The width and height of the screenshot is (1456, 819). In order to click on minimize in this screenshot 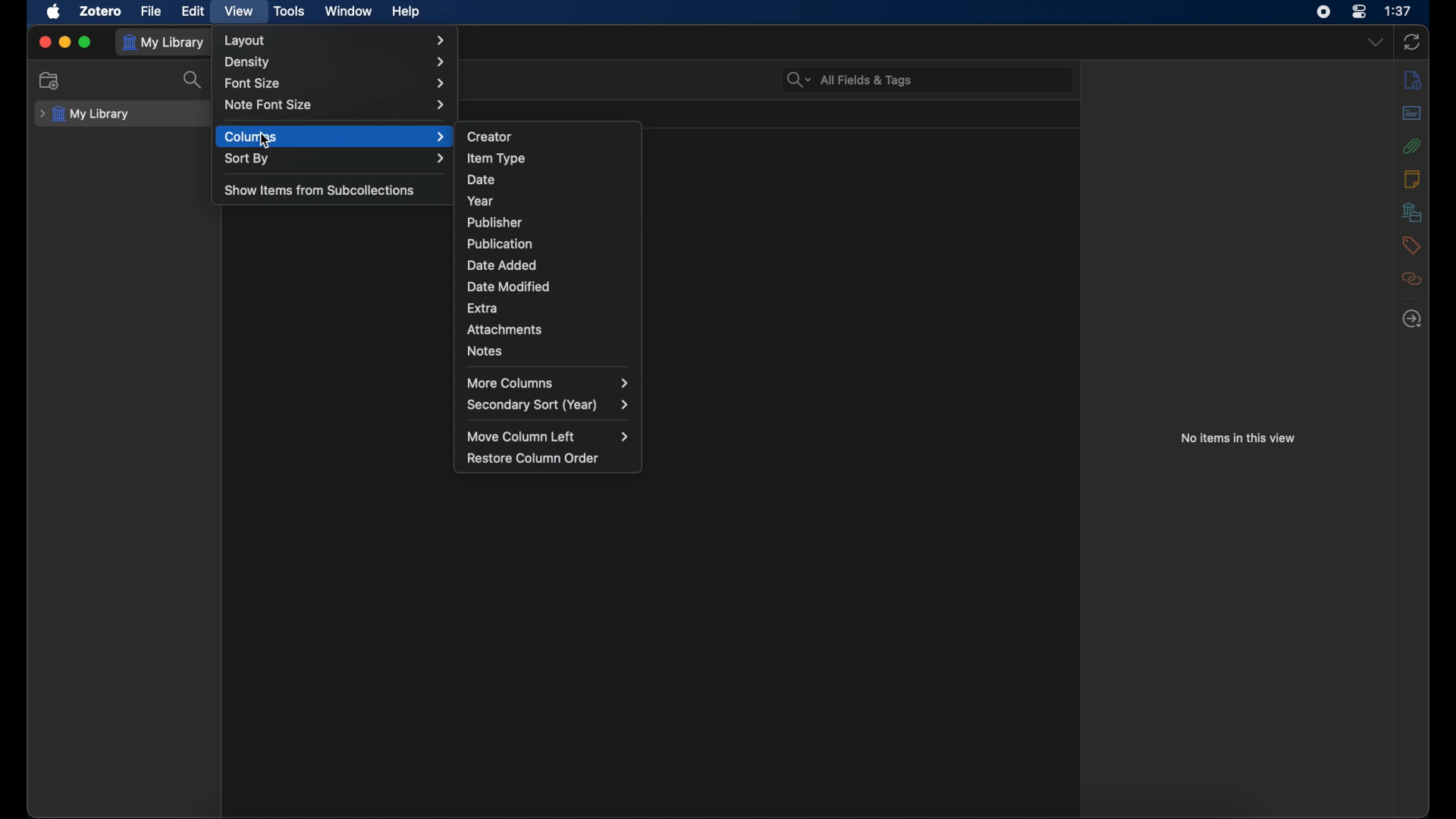, I will do `click(64, 41)`.